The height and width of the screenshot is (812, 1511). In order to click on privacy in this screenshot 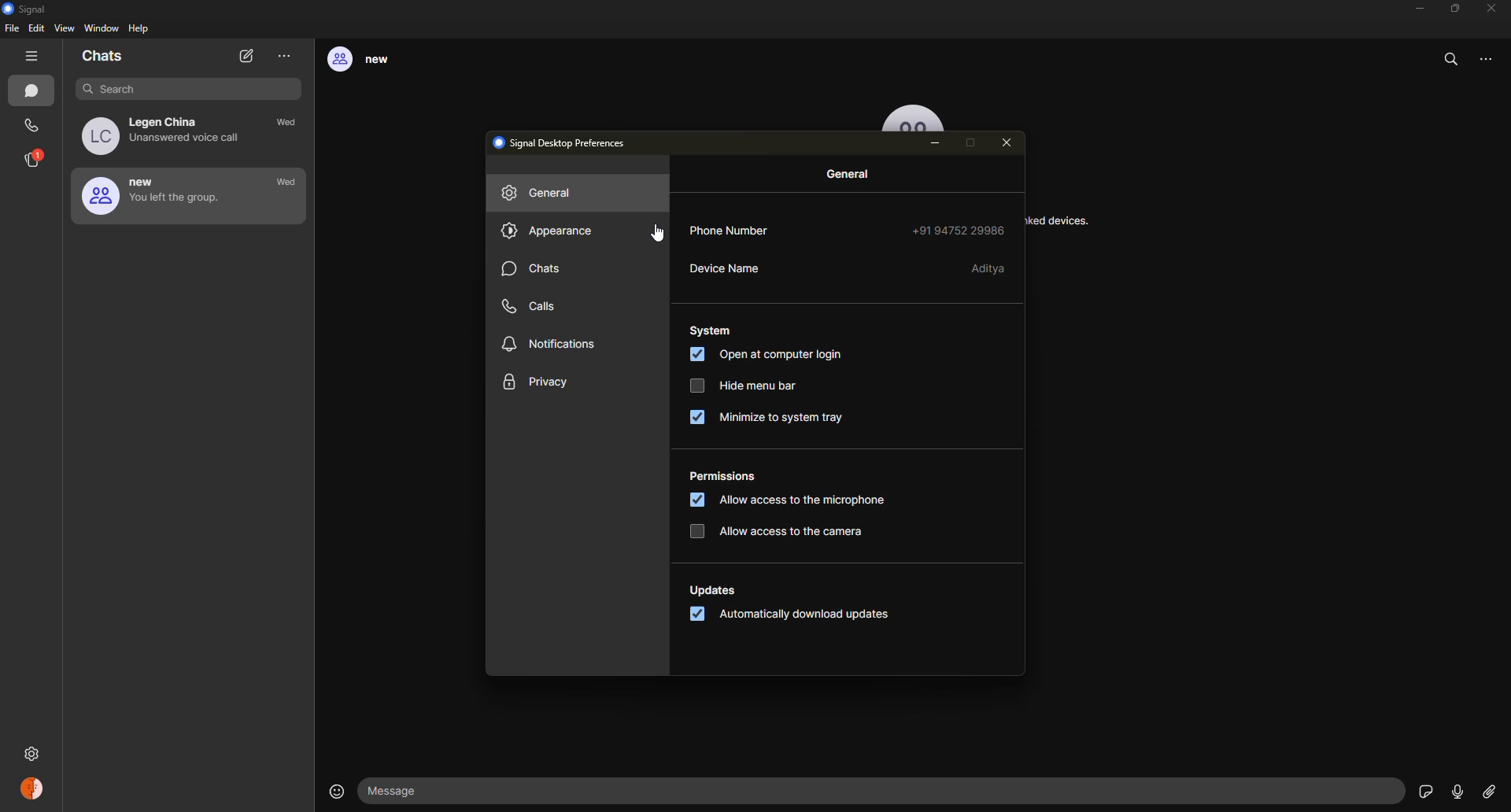, I will do `click(537, 383)`.